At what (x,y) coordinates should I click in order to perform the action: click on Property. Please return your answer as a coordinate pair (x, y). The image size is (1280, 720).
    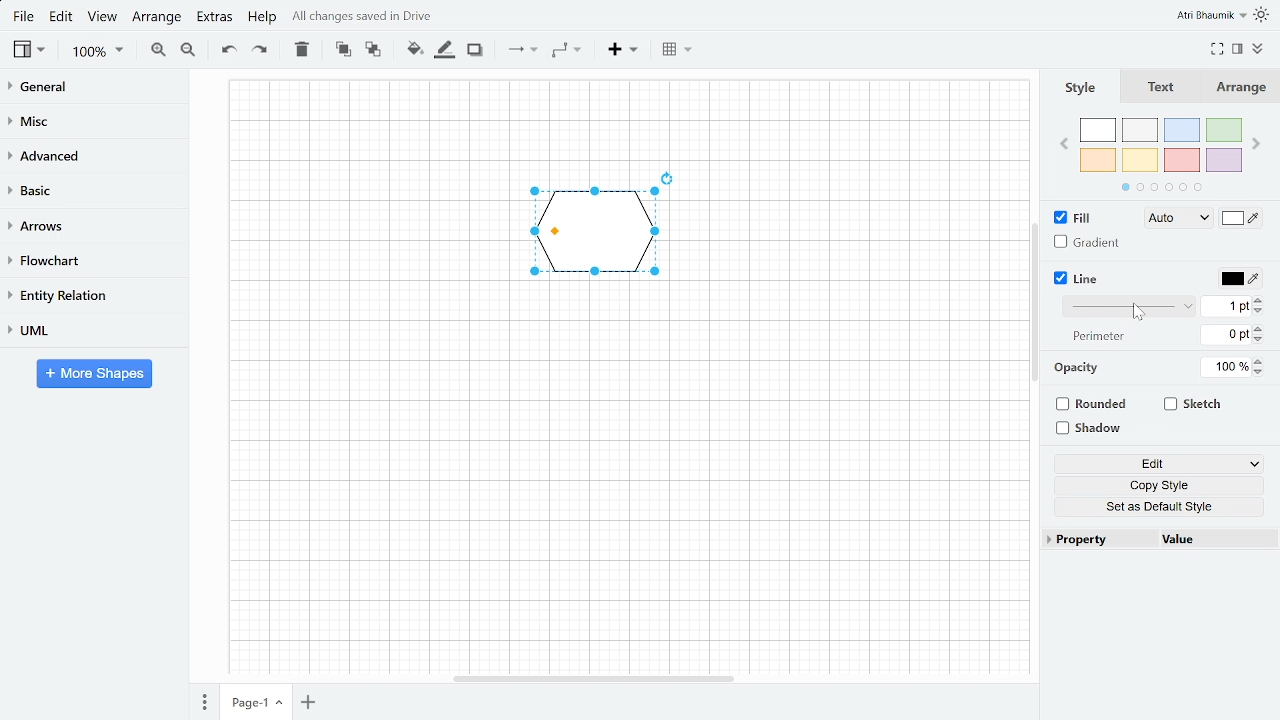
    Looking at the image, I should click on (1101, 538).